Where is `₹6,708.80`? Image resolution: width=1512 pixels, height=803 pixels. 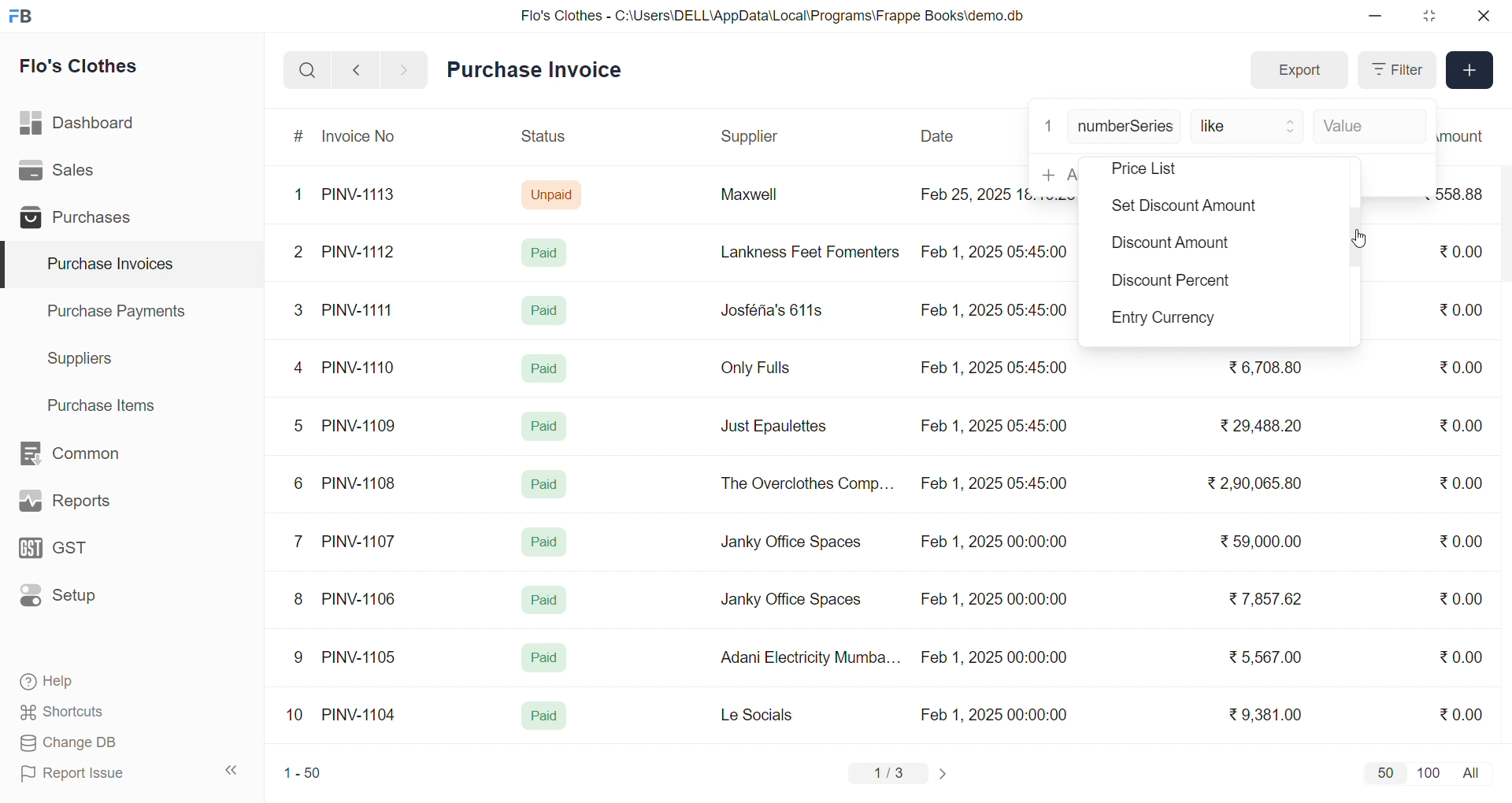 ₹6,708.80 is located at coordinates (1265, 364).